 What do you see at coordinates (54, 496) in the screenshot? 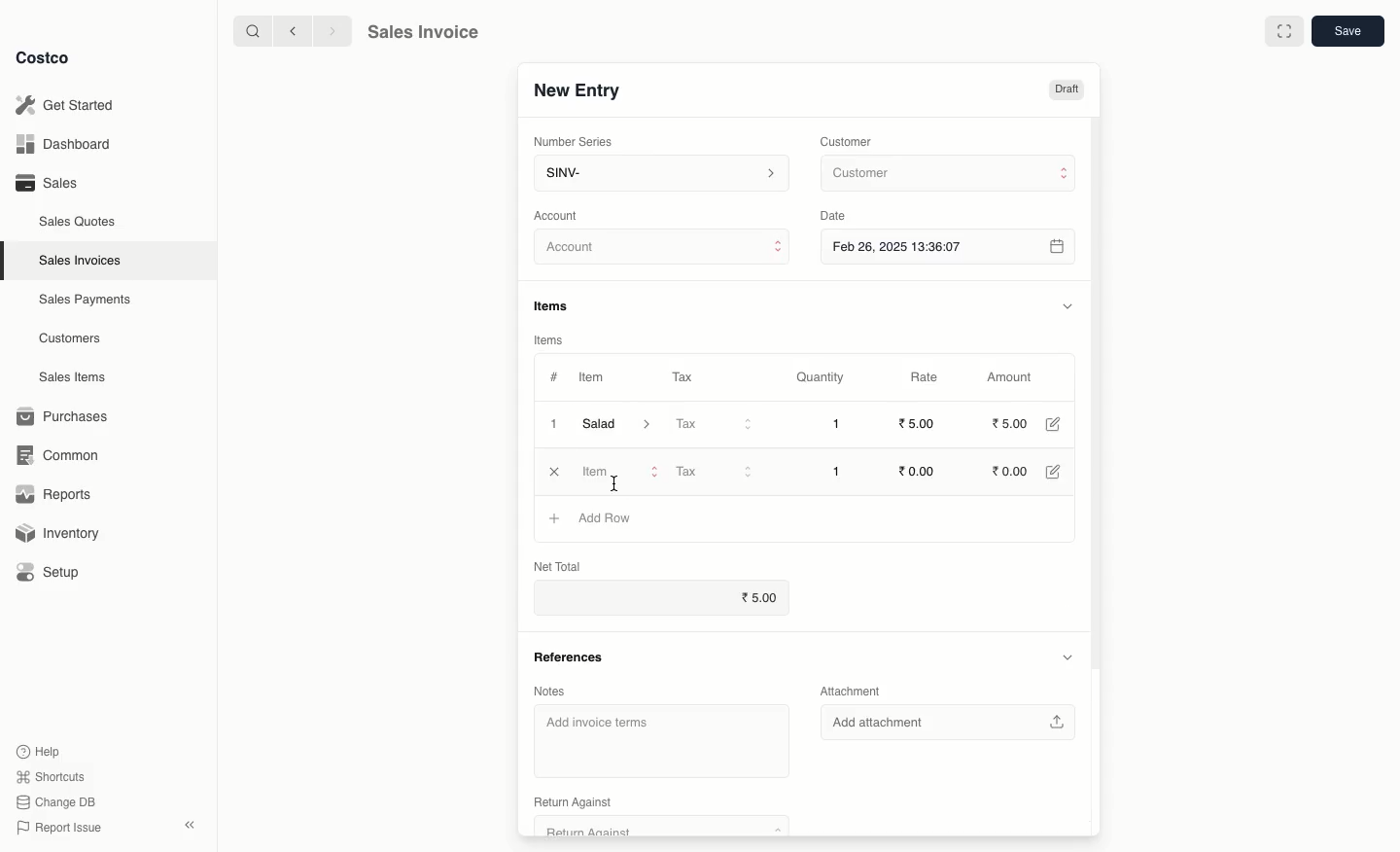
I see `Reports` at bounding box center [54, 496].